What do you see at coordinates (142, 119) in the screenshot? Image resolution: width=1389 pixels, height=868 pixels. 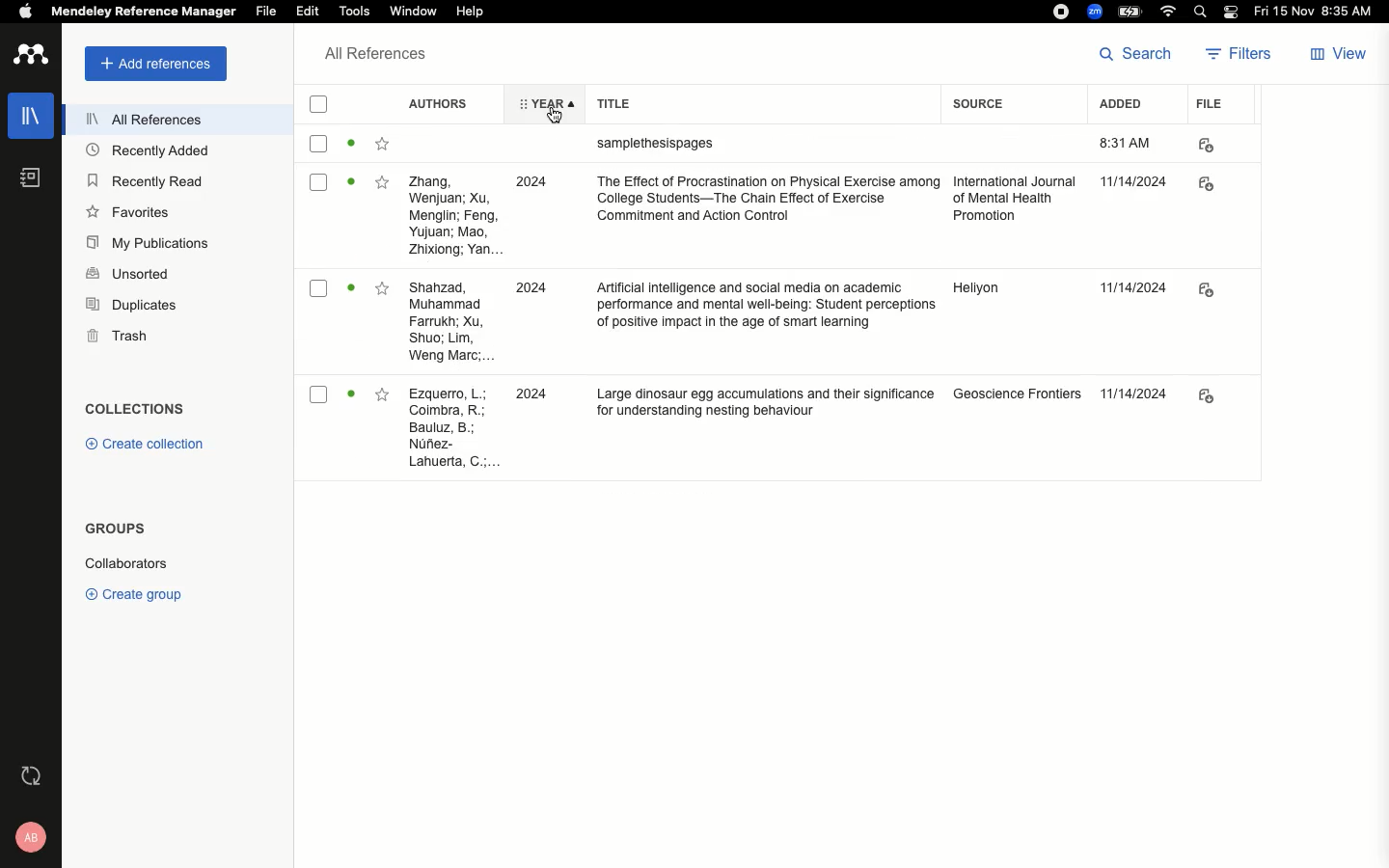 I see `All references` at bounding box center [142, 119].